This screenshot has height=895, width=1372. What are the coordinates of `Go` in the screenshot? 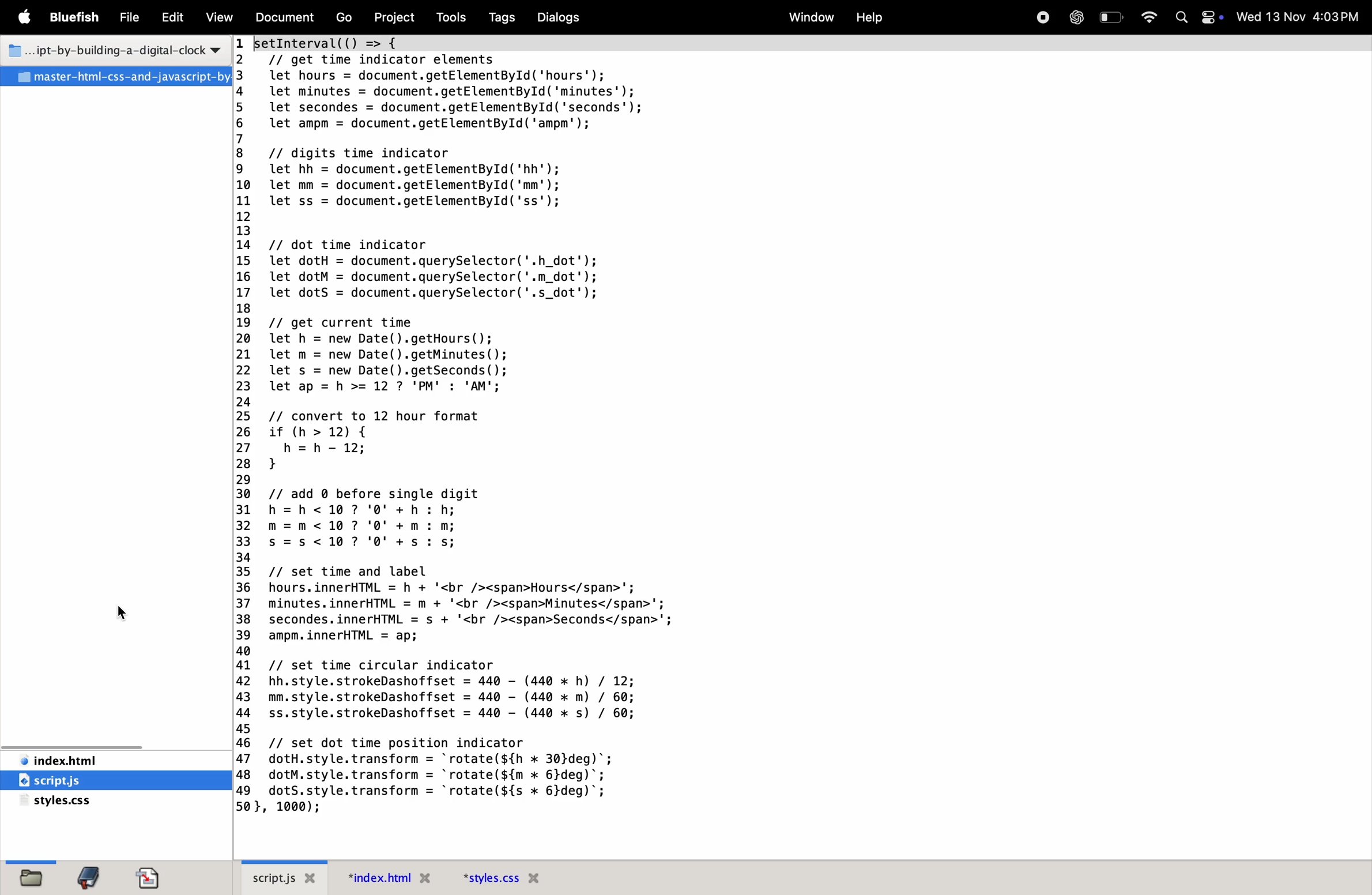 It's located at (346, 17).